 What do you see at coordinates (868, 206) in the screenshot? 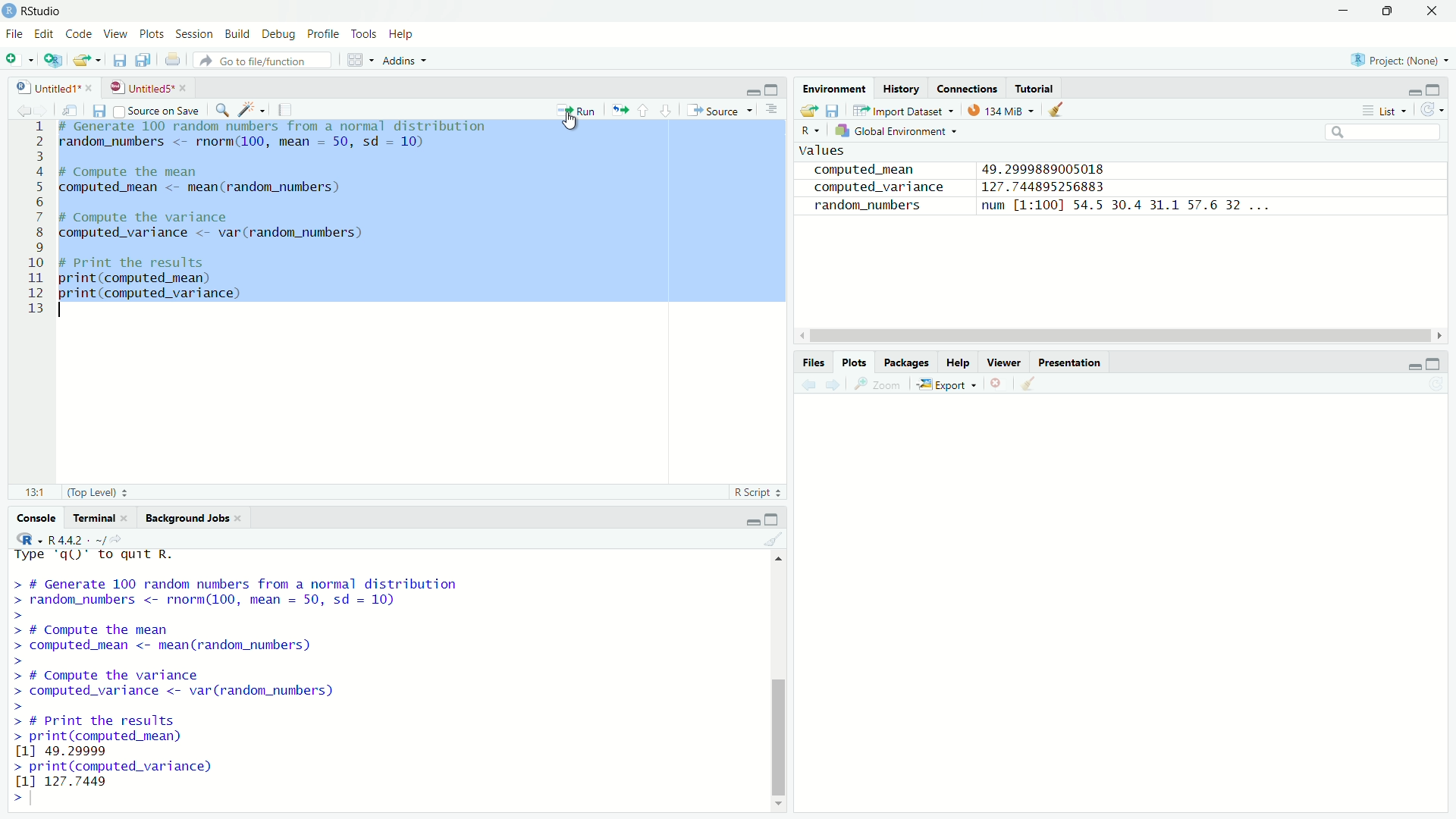
I see `random_numbers` at bounding box center [868, 206].